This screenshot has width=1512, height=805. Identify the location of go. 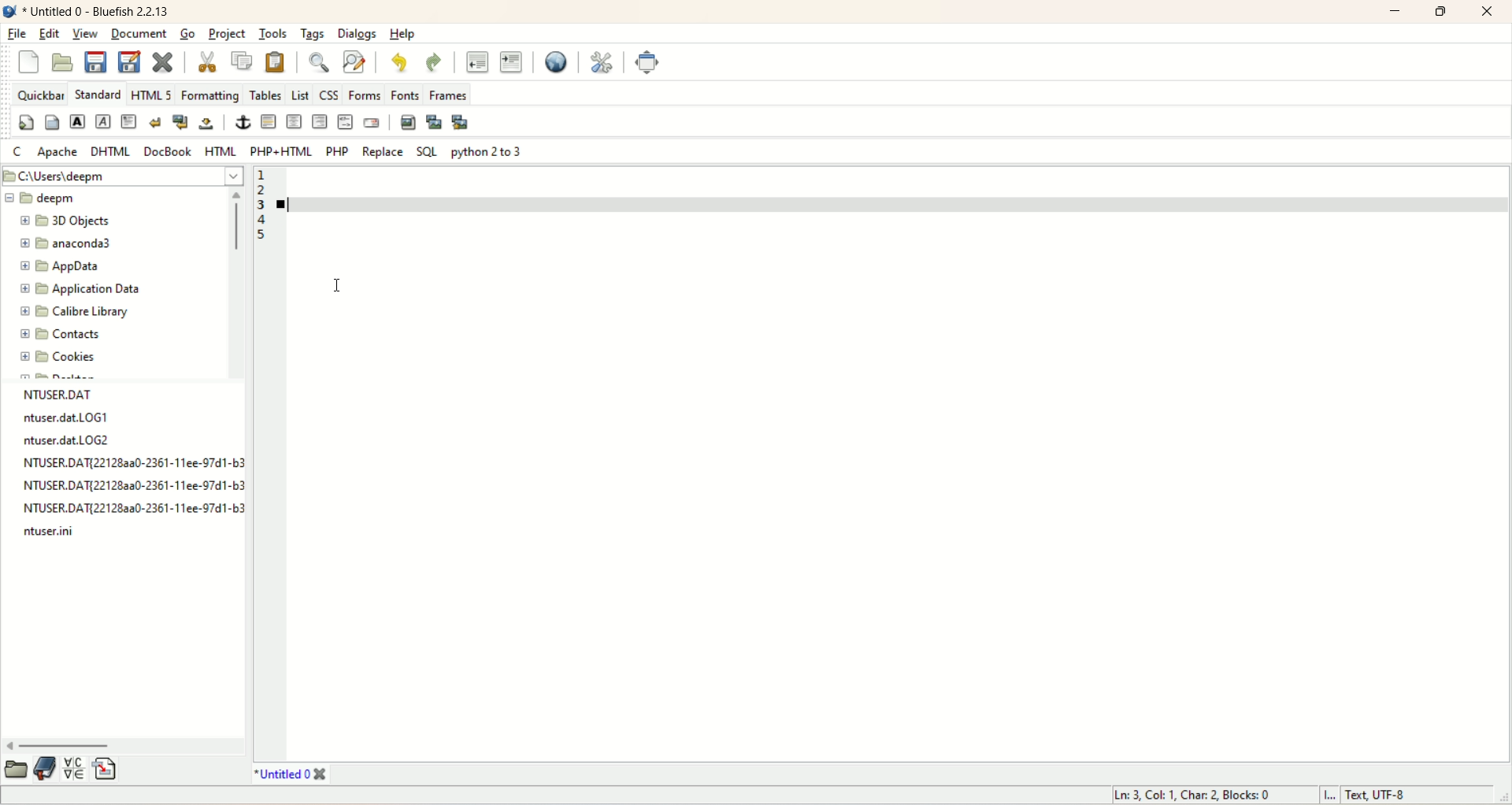
(188, 34).